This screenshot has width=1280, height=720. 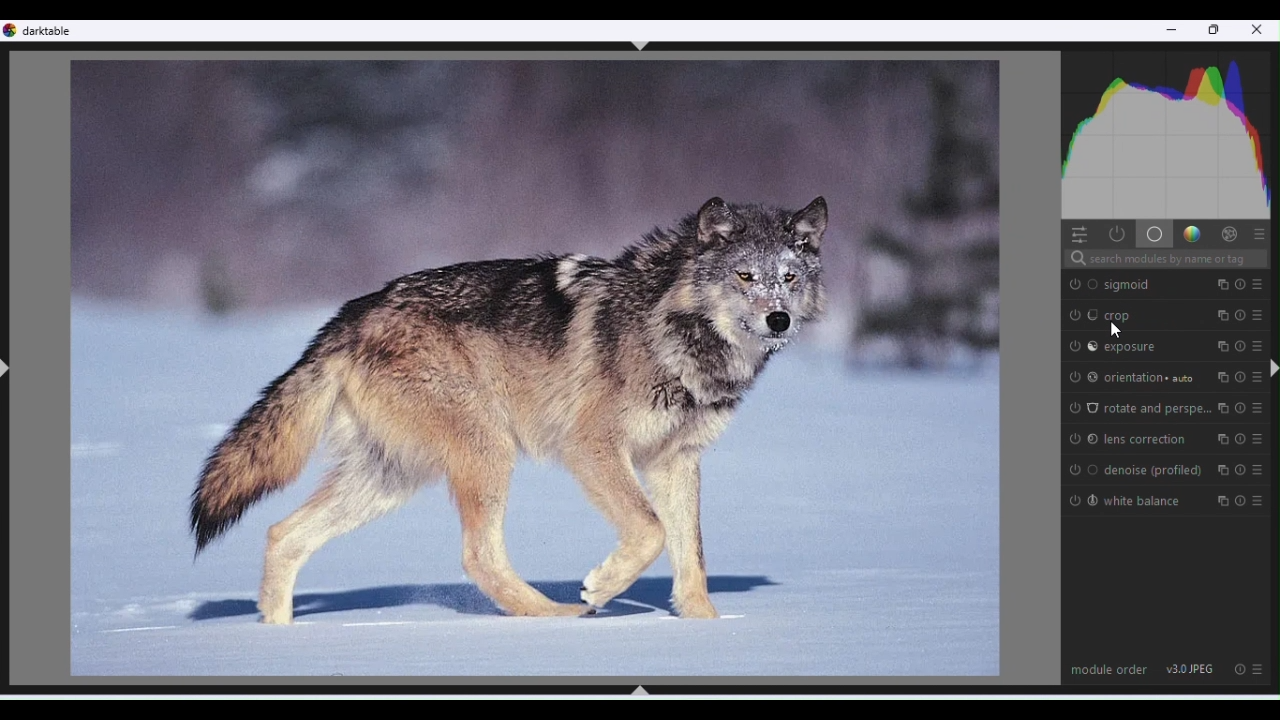 I want to click on Minimise, so click(x=1171, y=33).